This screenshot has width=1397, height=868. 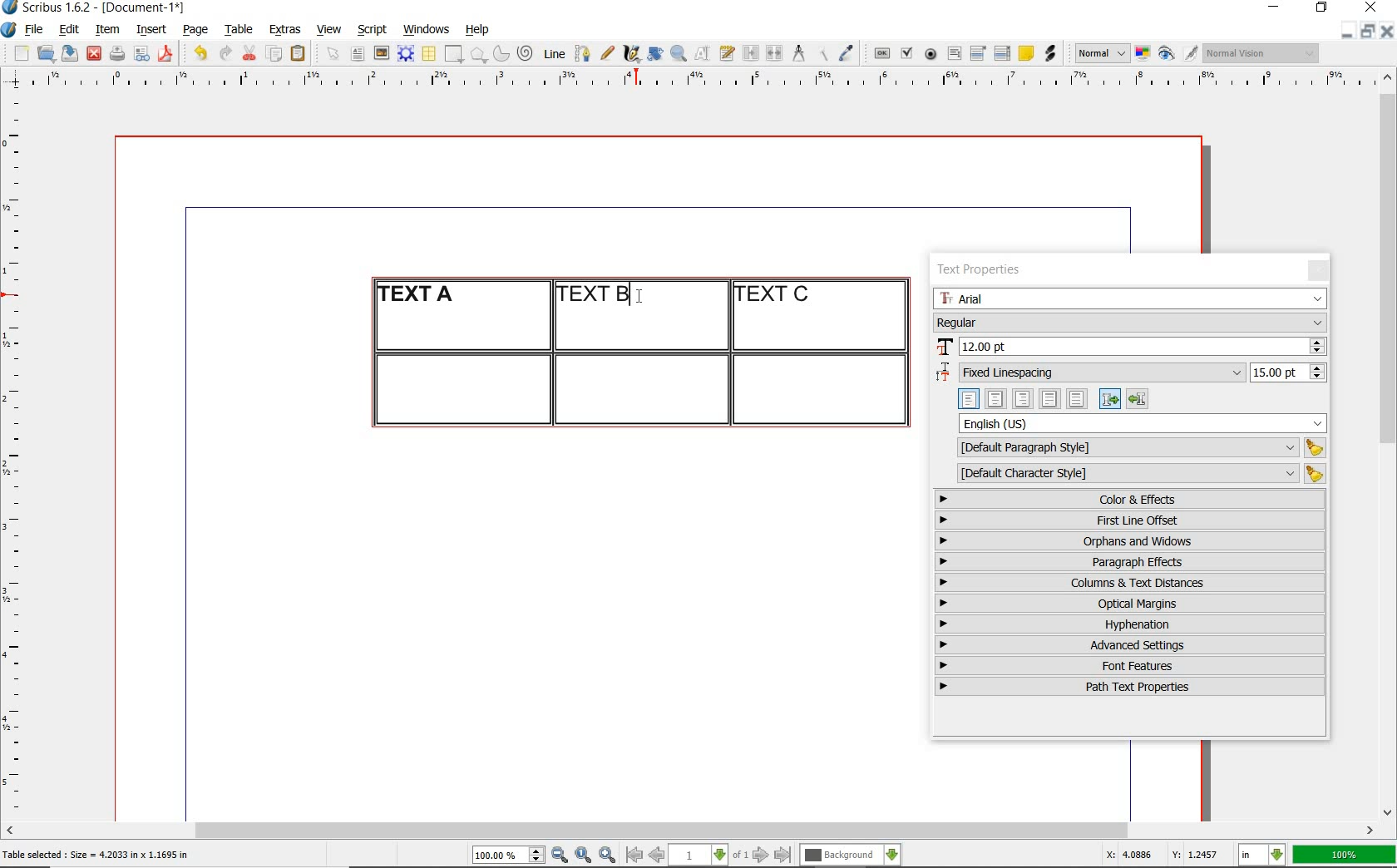 I want to click on insert, so click(x=151, y=30).